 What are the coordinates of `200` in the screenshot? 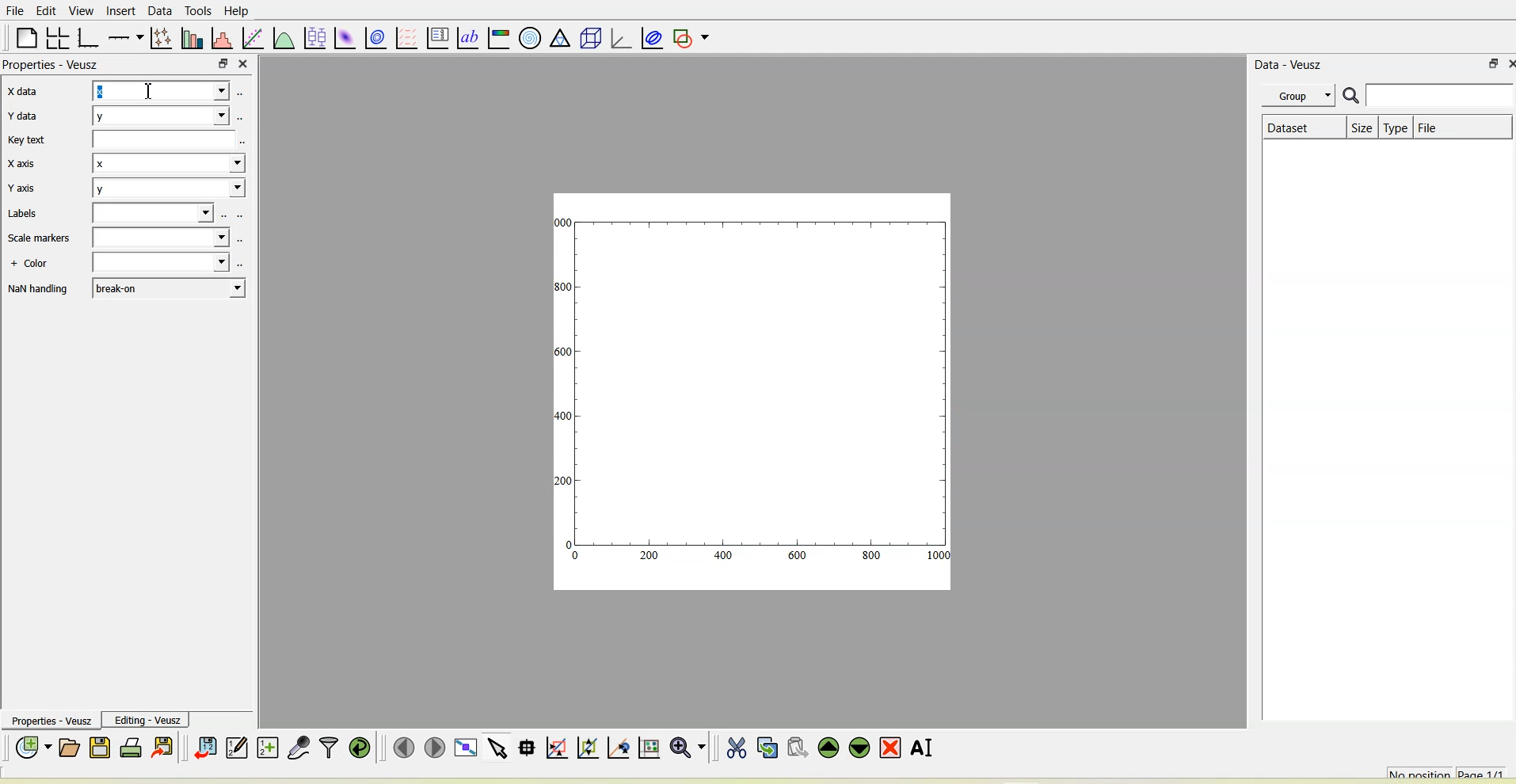 It's located at (564, 480).